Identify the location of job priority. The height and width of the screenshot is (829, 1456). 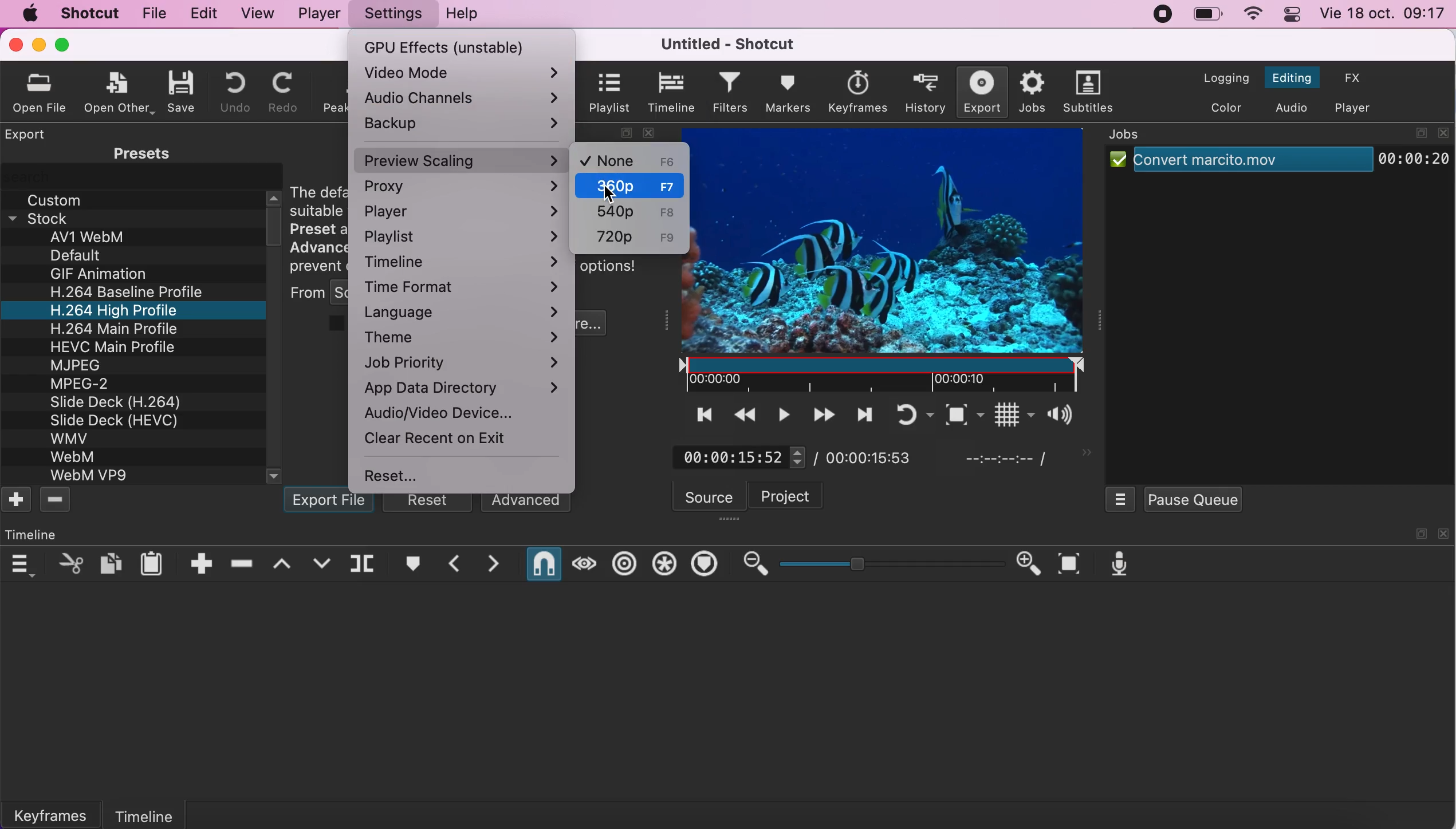
(467, 361).